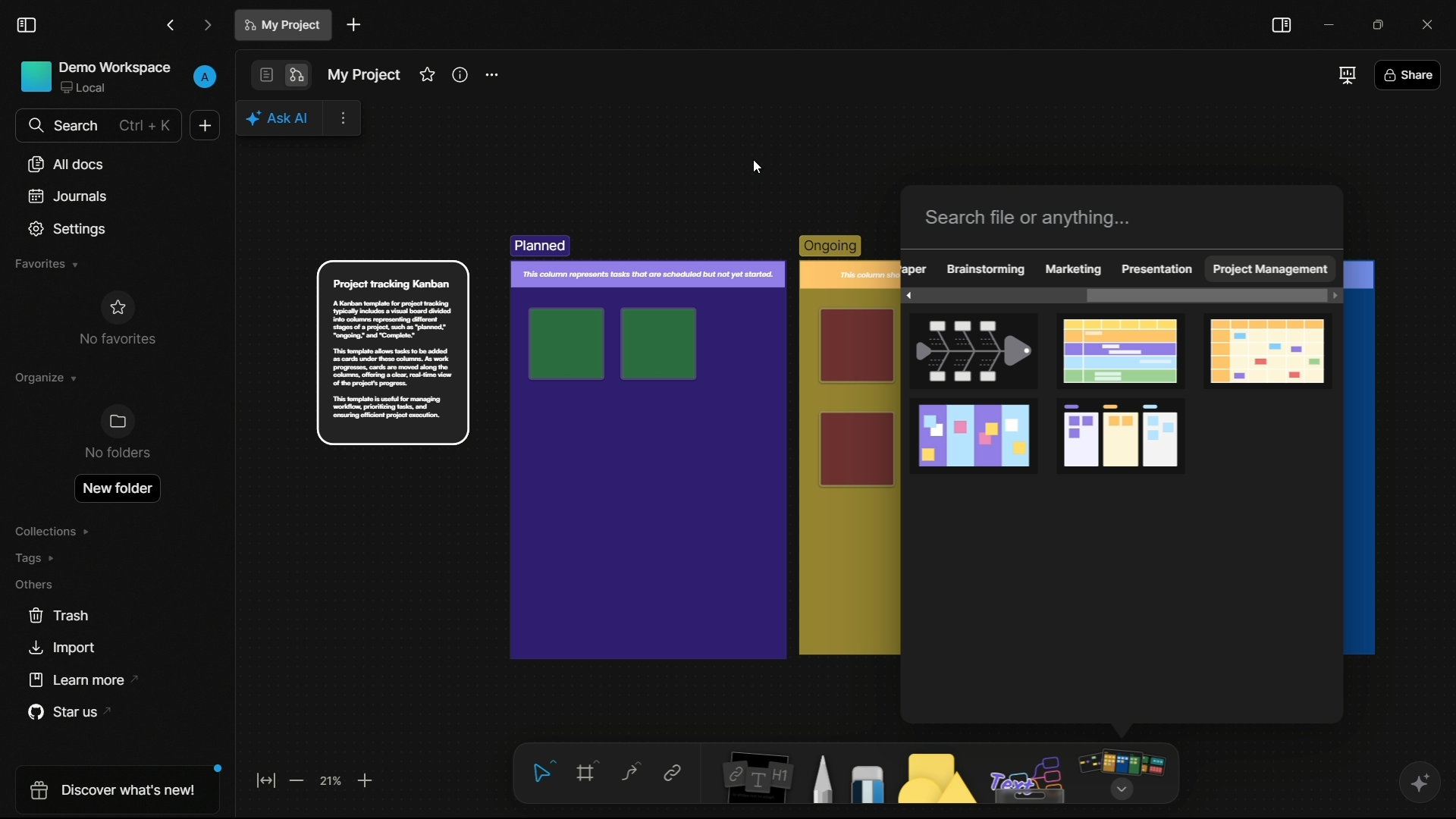  I want to click on minimize, so click(1331, 24).